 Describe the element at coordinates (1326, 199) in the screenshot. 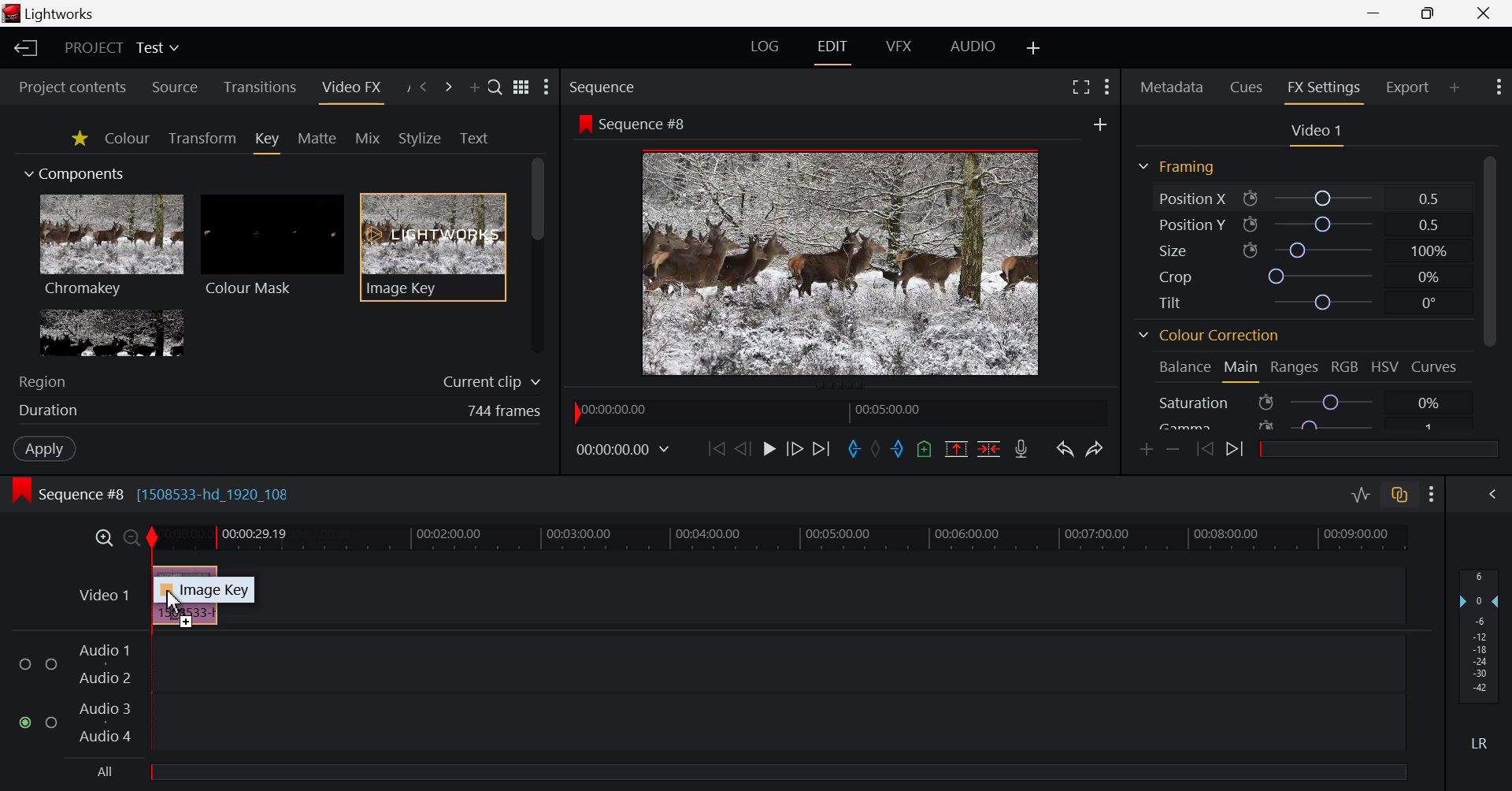

I see `Position X` at that location.